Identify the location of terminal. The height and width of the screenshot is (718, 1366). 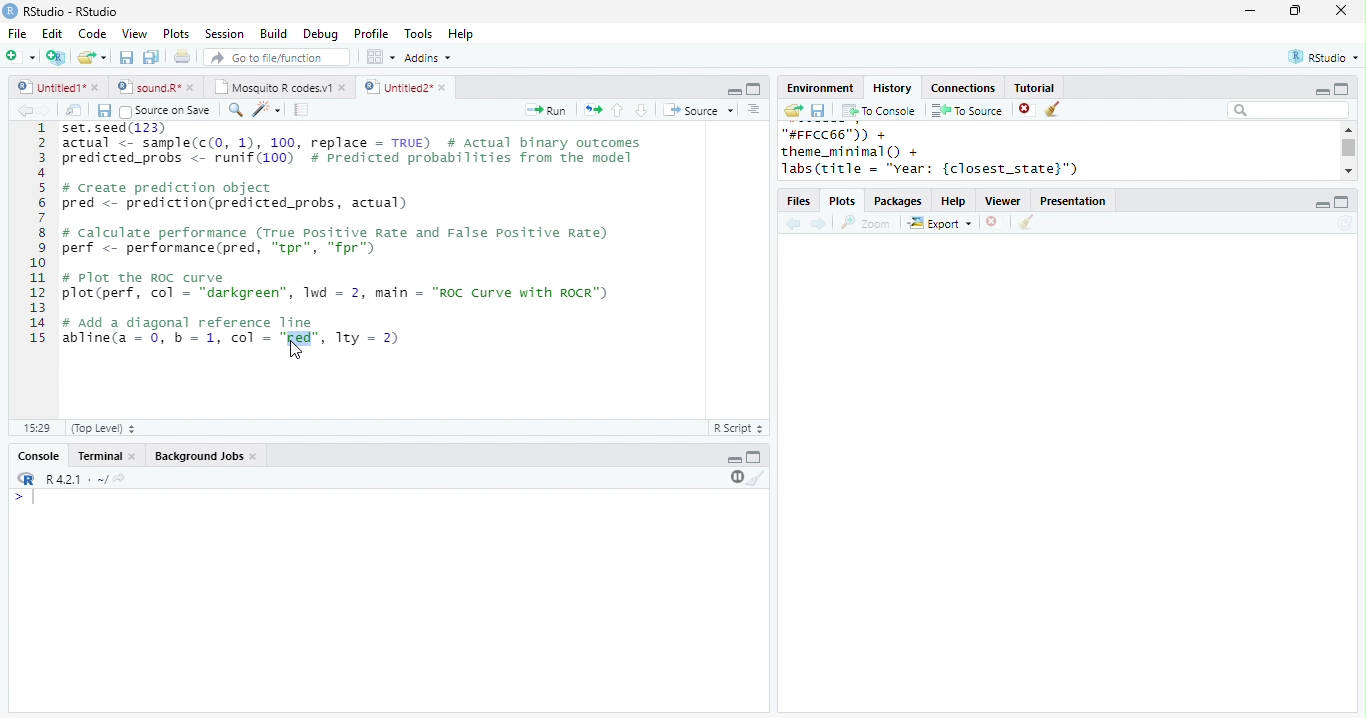
(97, 457).